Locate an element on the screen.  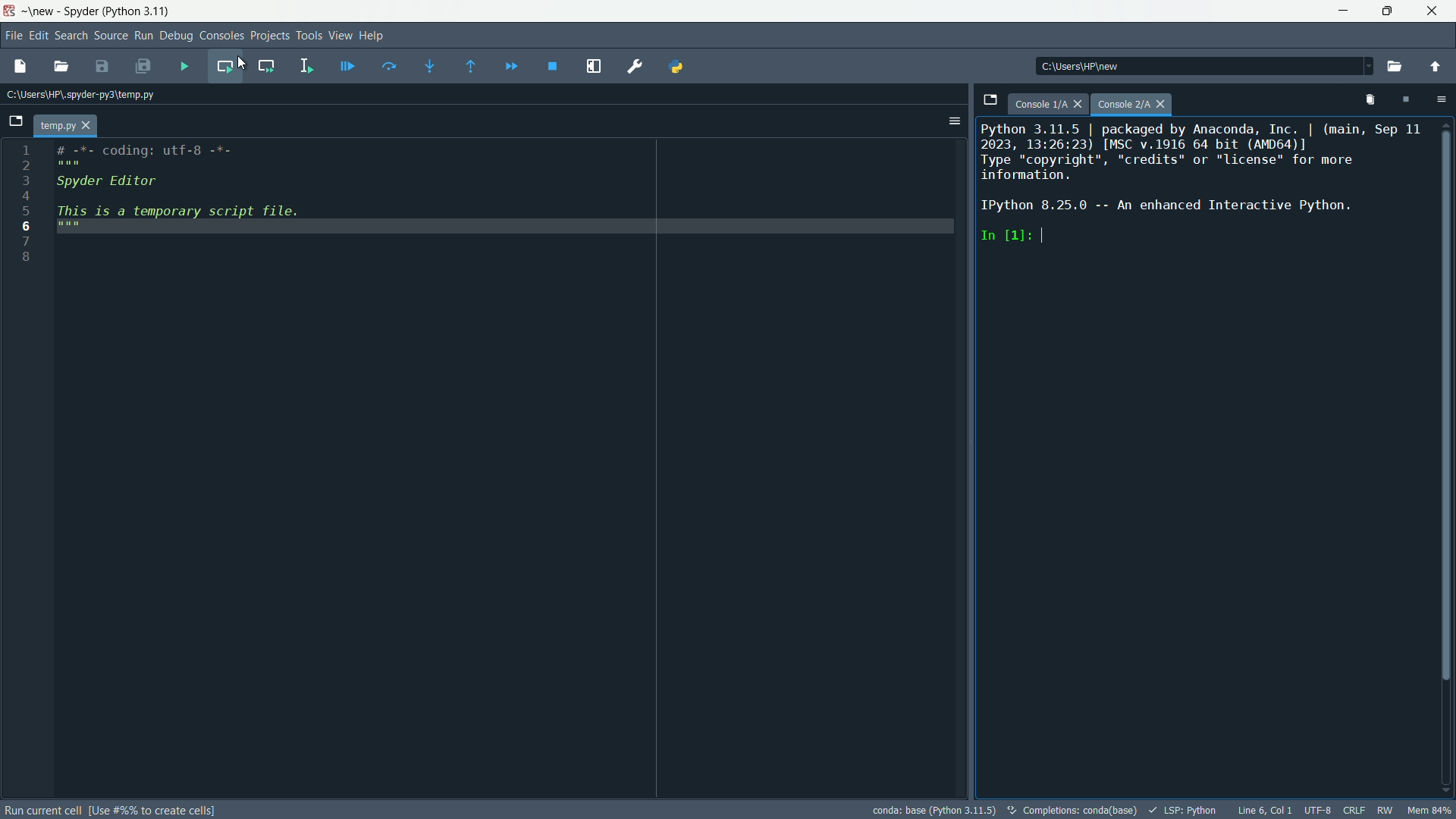
rw is located at coordinates (1386, 808).